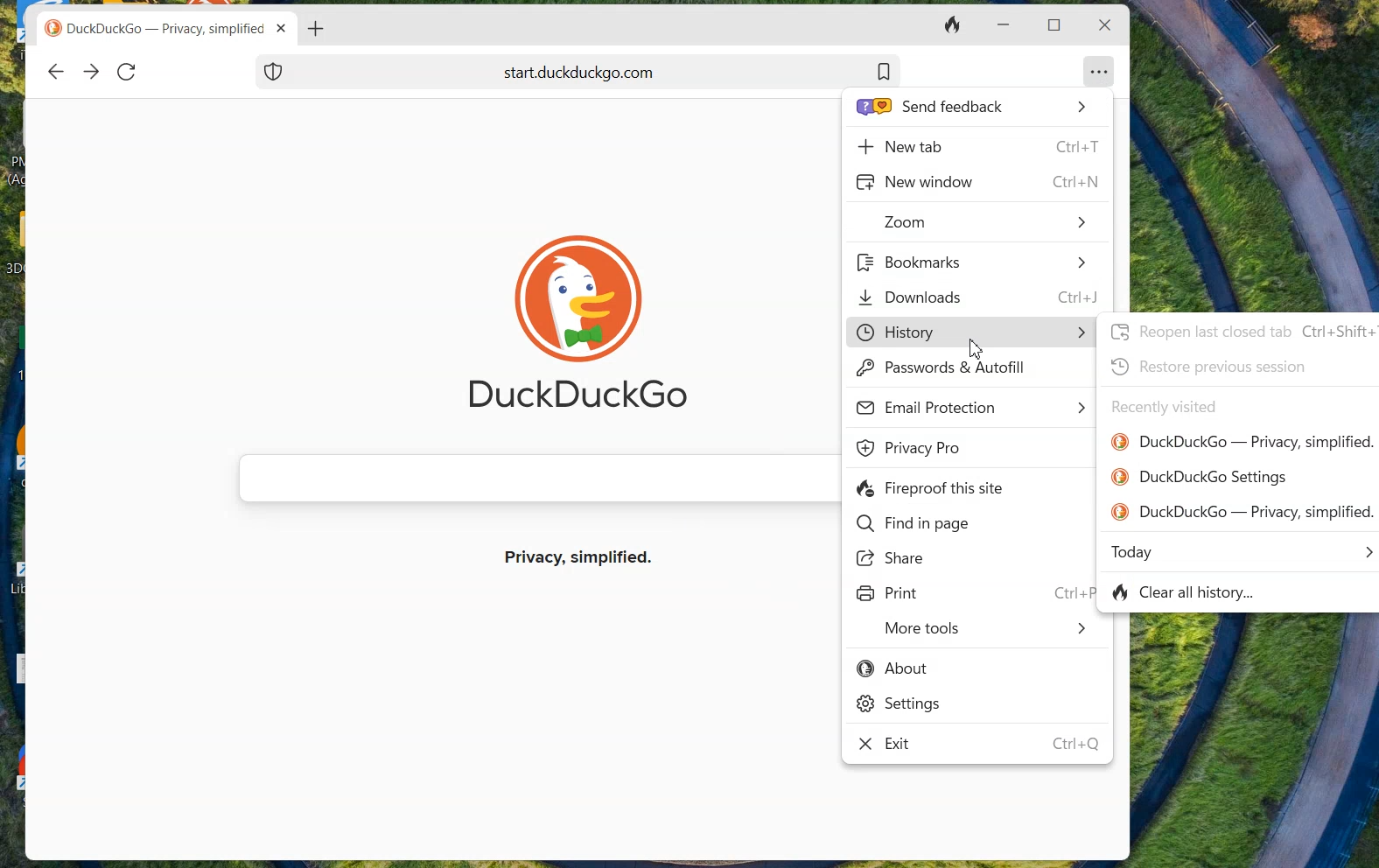 The width and height of the screenshot is (1379, 868). I want to click on Downloads, so click(979, 296).